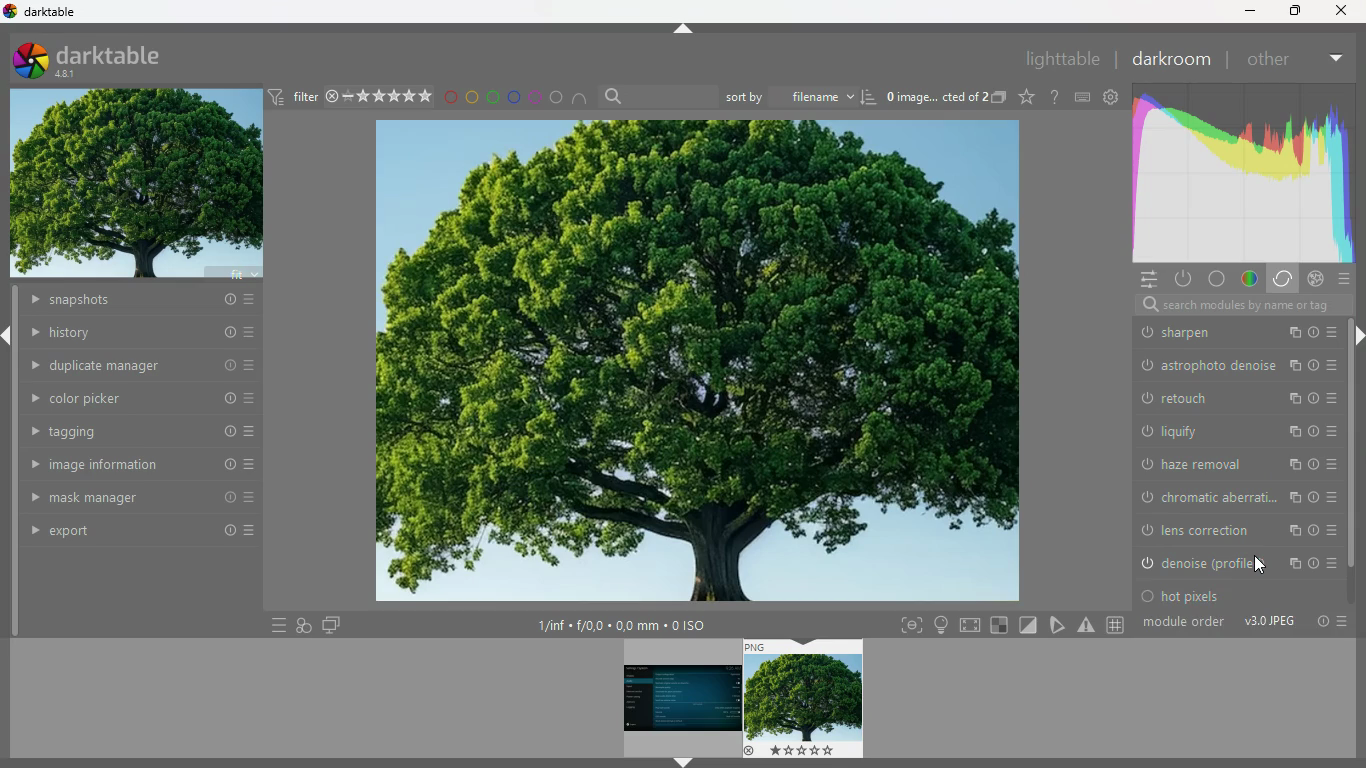 The width and height of the screenshot is (1366, 768). What do you see at coordinates (1316, 397) in the screenshot?
I see `more` at bounding box center [1316, 397].